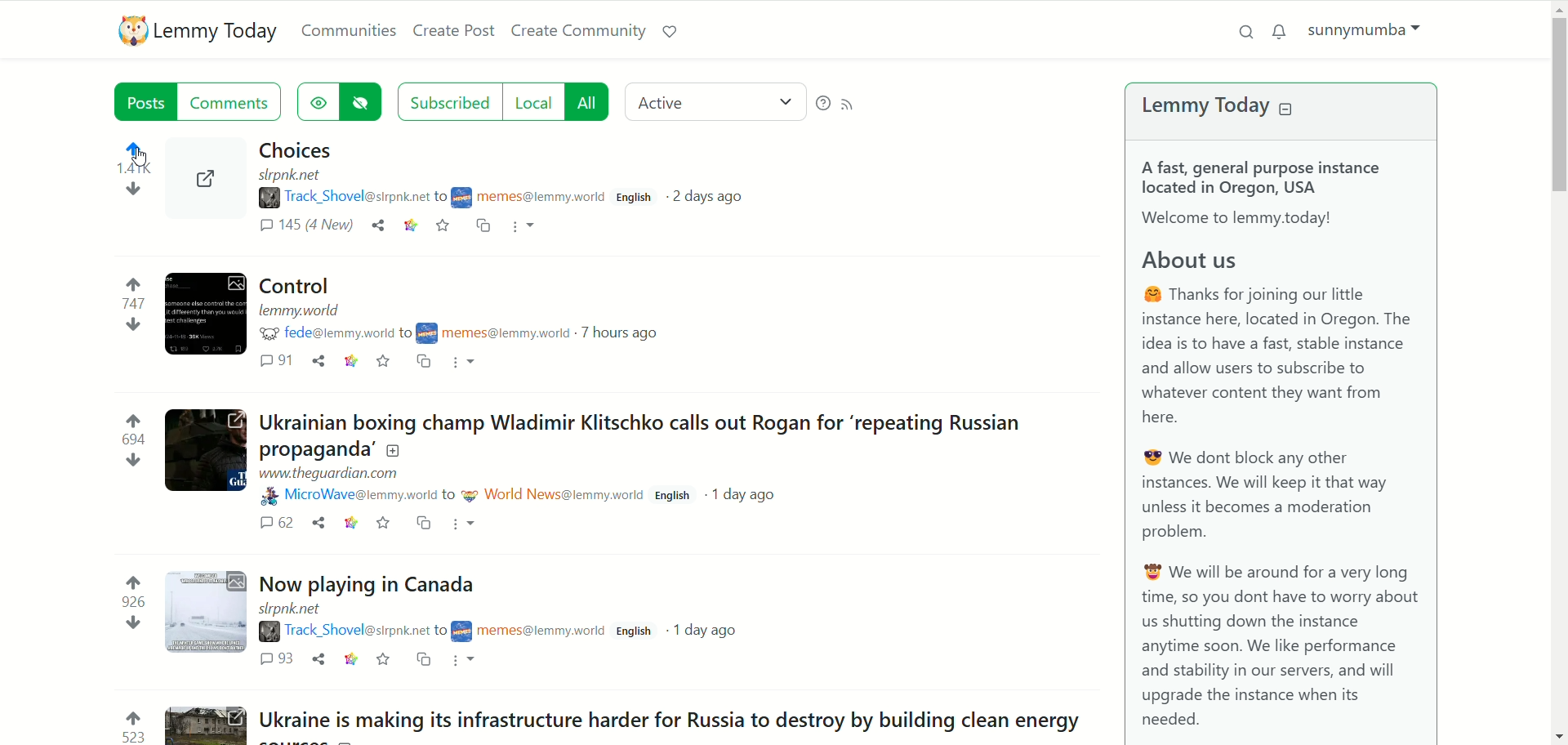 This screenshot has height=745, width=1568. What do you see at coordinates (462, 196) in the screenshot?
I see `poster image` at bounding box center [462, 196].